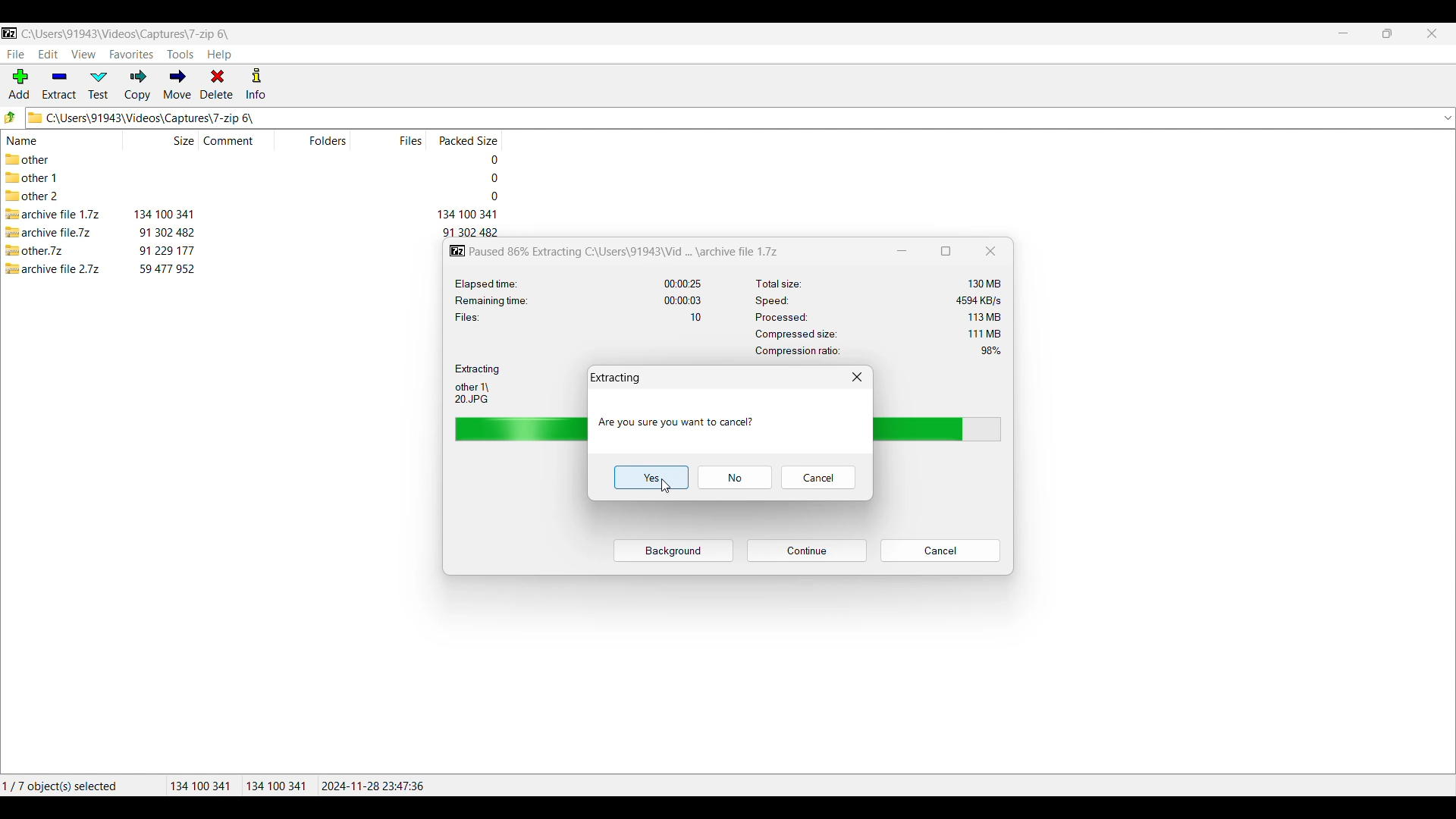  I want to click on size, so click(167, 268).